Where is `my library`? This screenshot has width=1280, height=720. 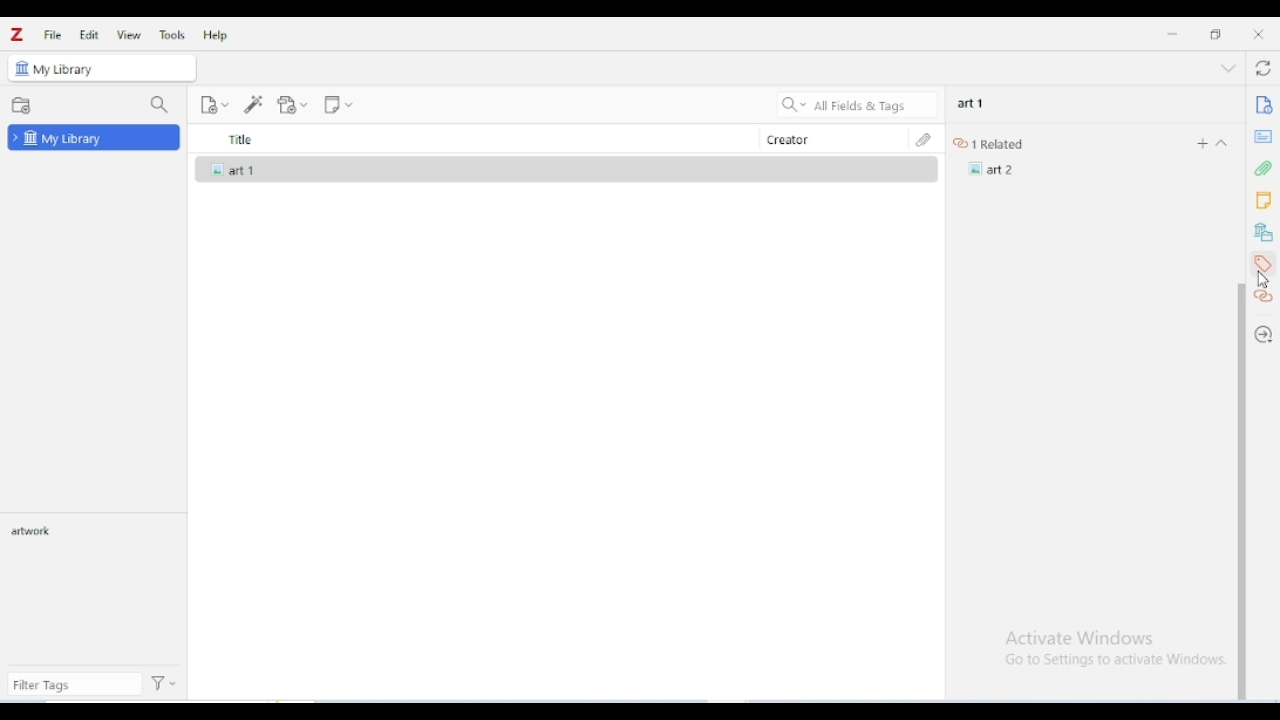 my library is located at coordinates (101, 67).